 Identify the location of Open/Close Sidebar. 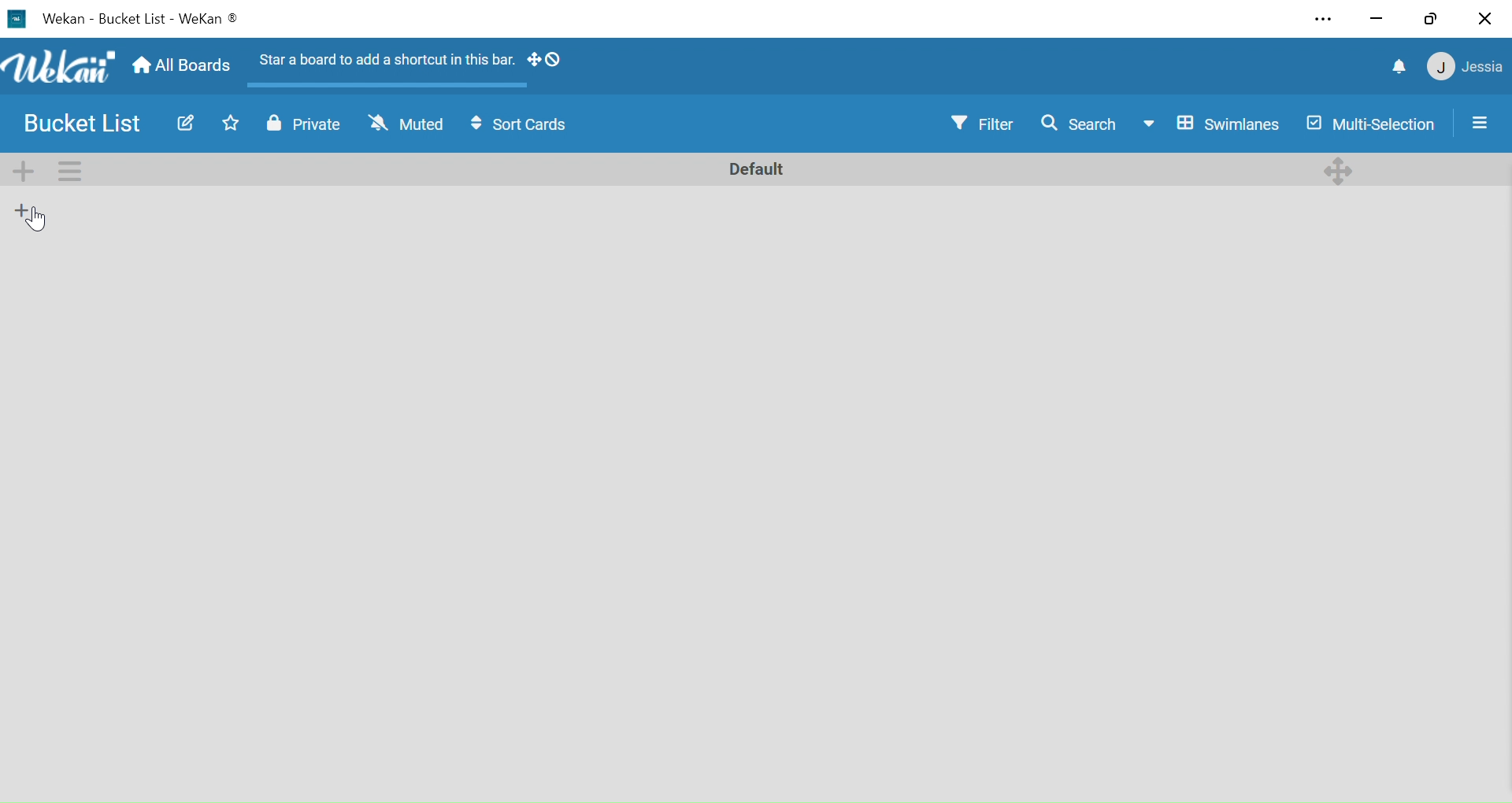
(1483, 121).